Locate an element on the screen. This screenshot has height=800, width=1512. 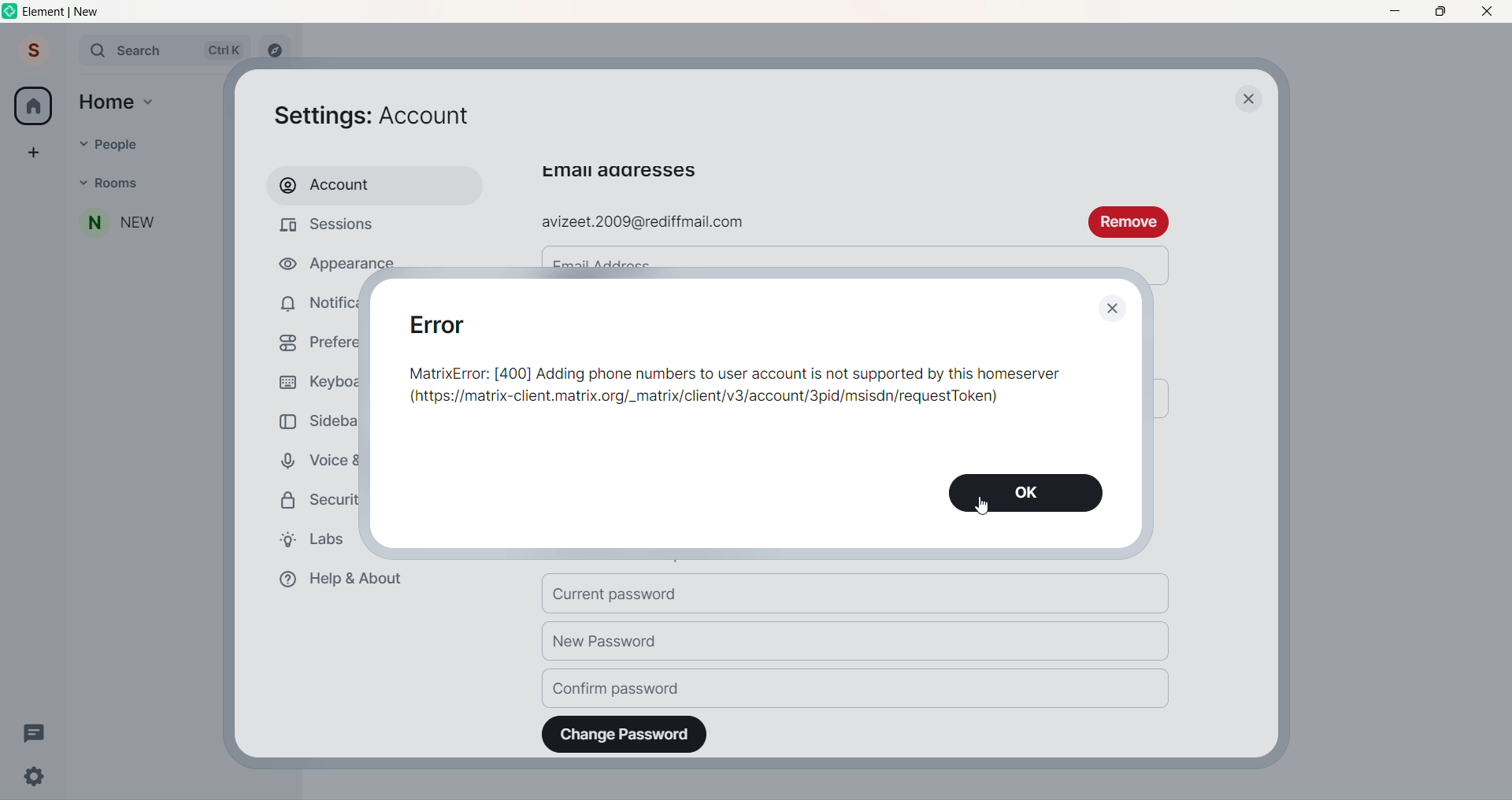
Title  is located at coordinates (76, 12).